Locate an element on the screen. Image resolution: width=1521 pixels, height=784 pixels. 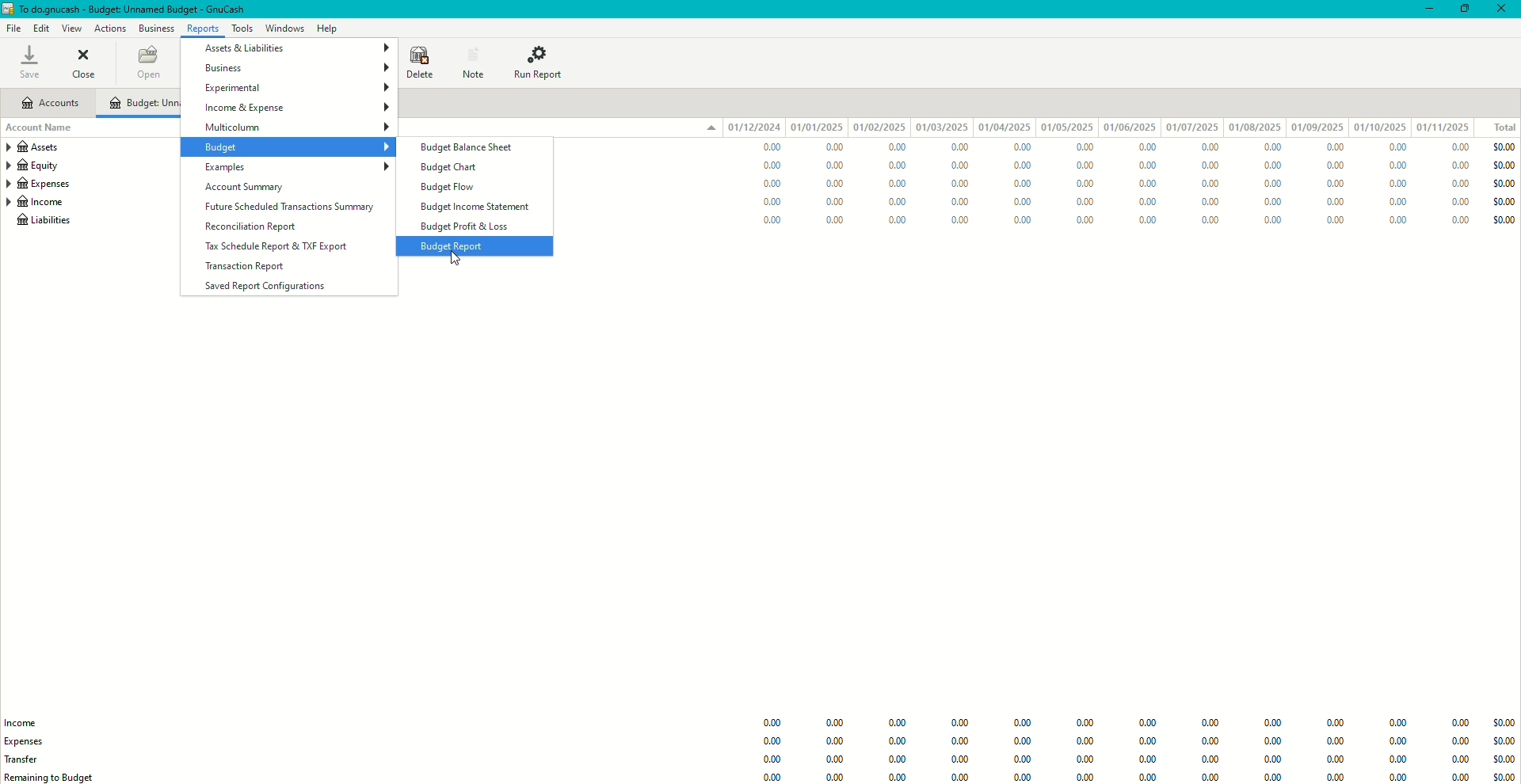
0.00 is located at coordinates (1332, 762).